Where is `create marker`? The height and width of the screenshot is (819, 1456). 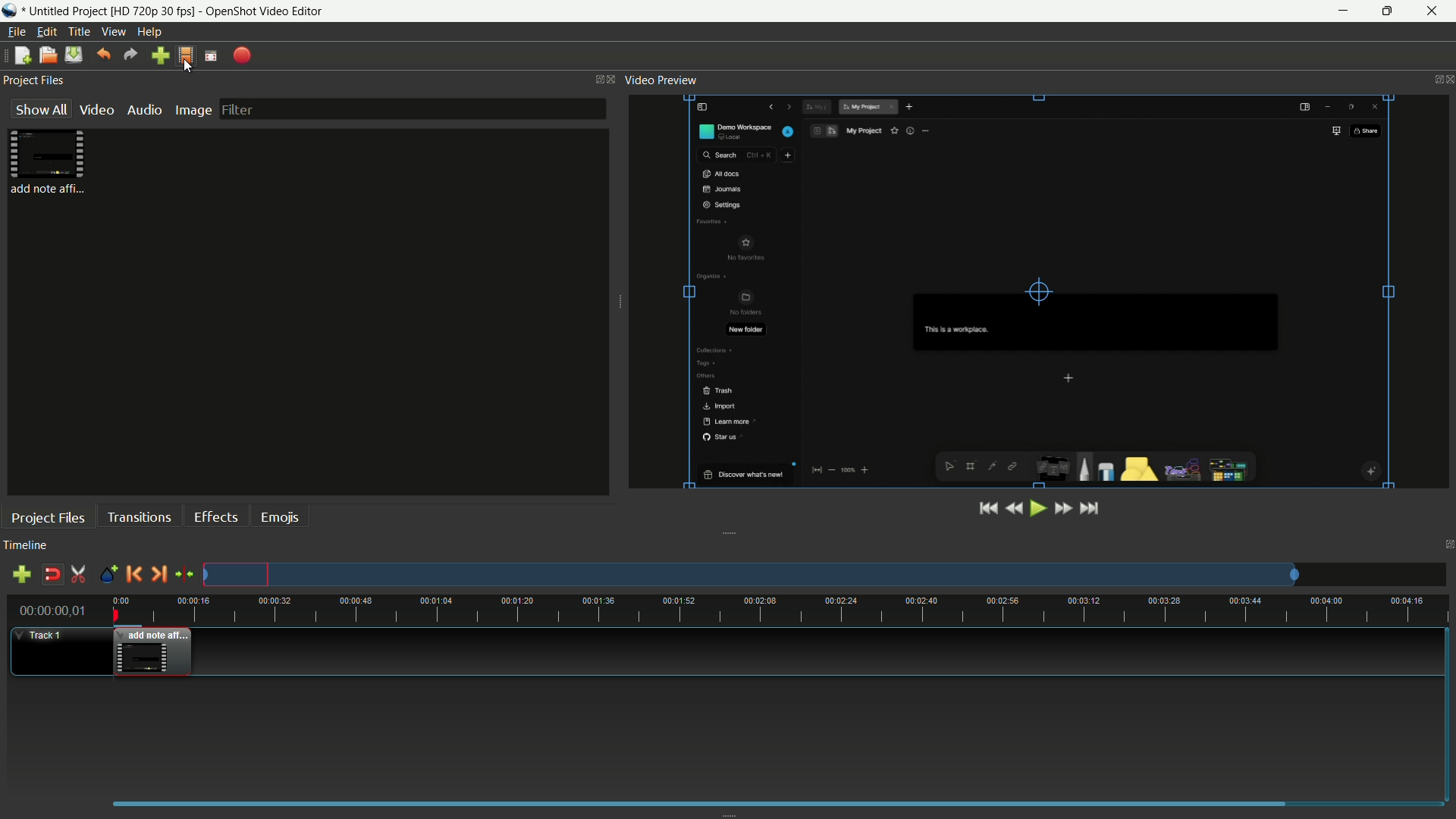 create marker is located at coordinates (107, 576).